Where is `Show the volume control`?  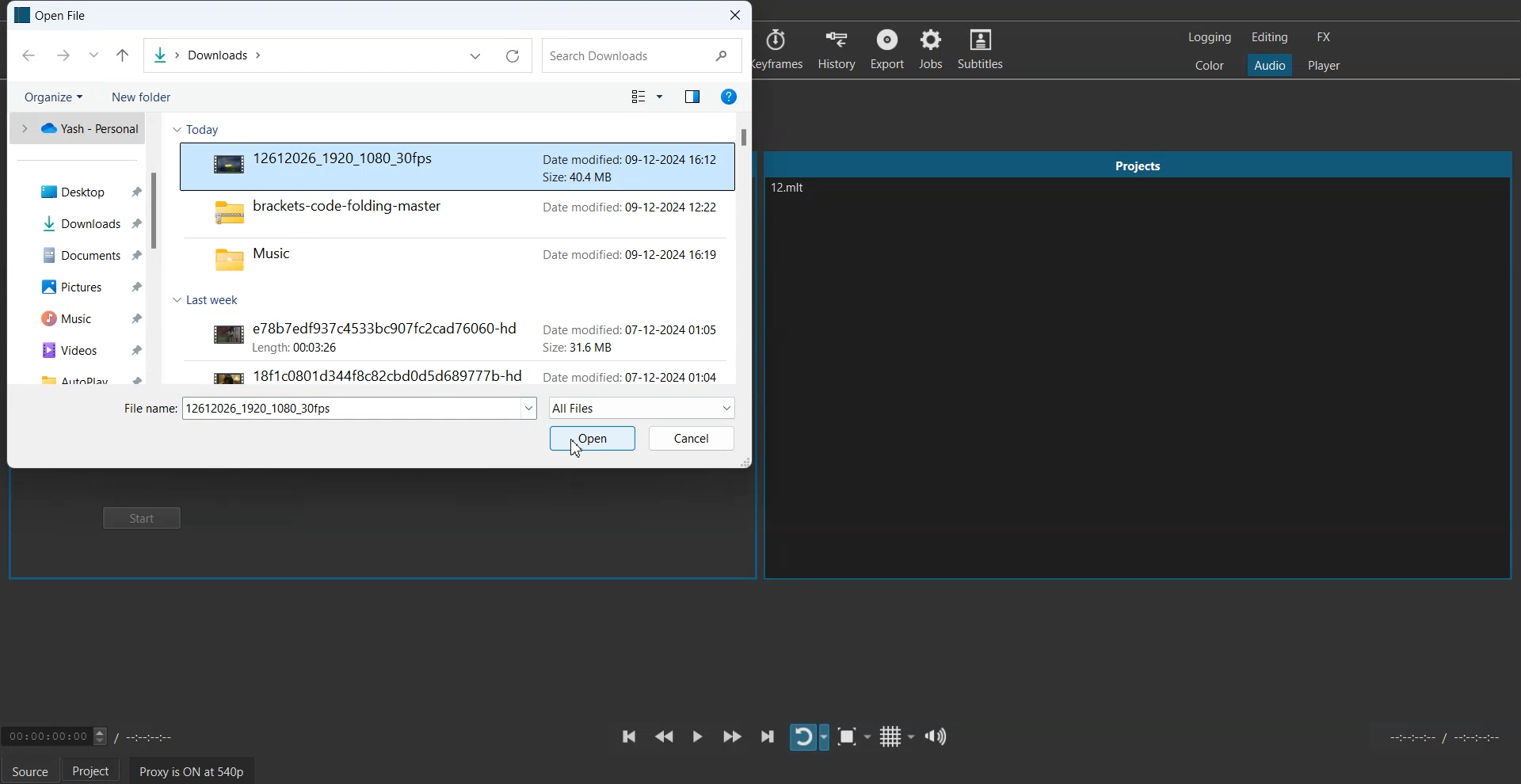
Show the volume control is located at coordinates (935, 736).